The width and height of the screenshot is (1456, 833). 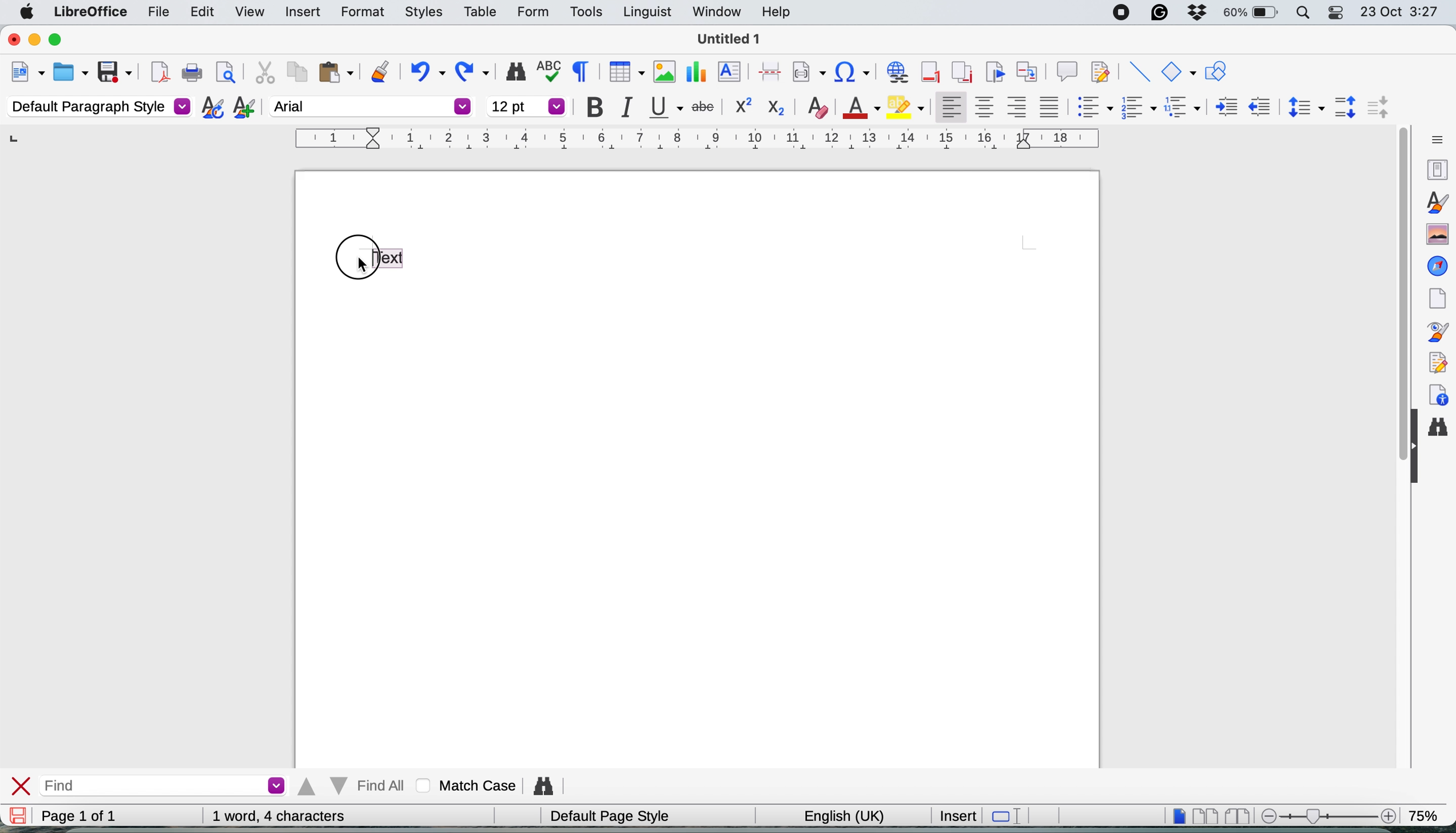 I want to click on find and replce, so click(x=541, y=786).